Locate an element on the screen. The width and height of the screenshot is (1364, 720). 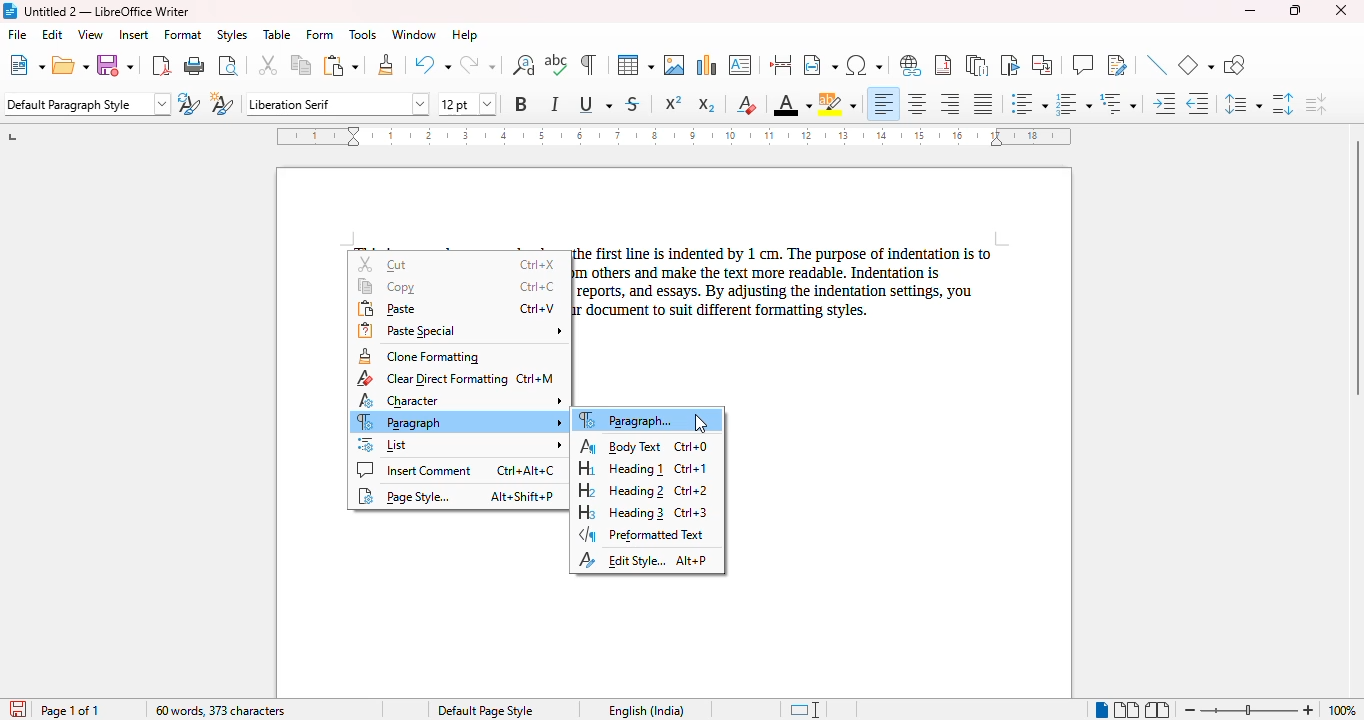
superscript is located at coordinates (673, 102).